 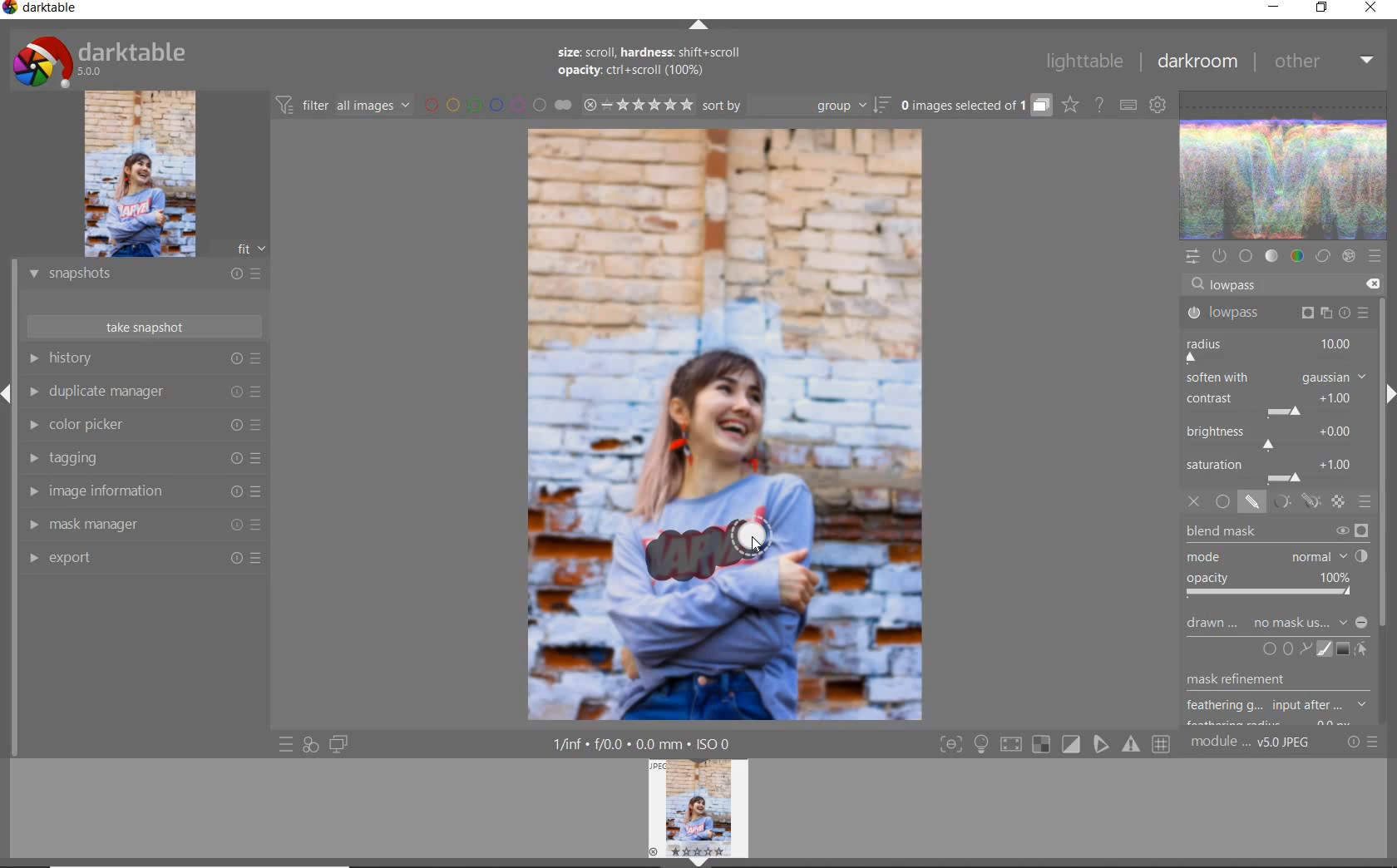 What do you see at coordinates (1100, 104) in the screenshot?
I see `enable online help` at bounding box center [1100, 104].